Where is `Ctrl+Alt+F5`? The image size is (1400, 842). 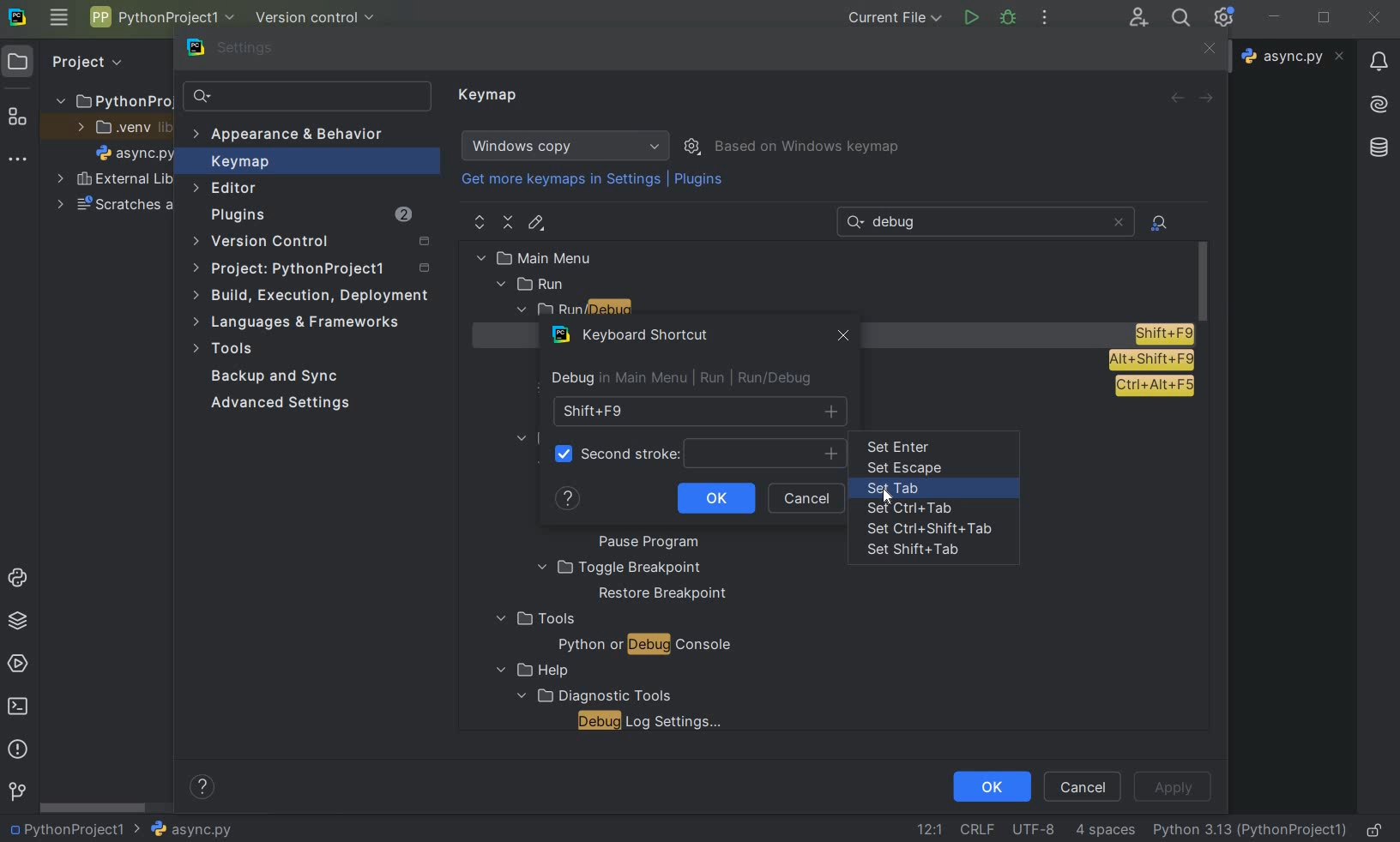 Ctrl+Alt+F5 is located at coordinates (1154, 387).